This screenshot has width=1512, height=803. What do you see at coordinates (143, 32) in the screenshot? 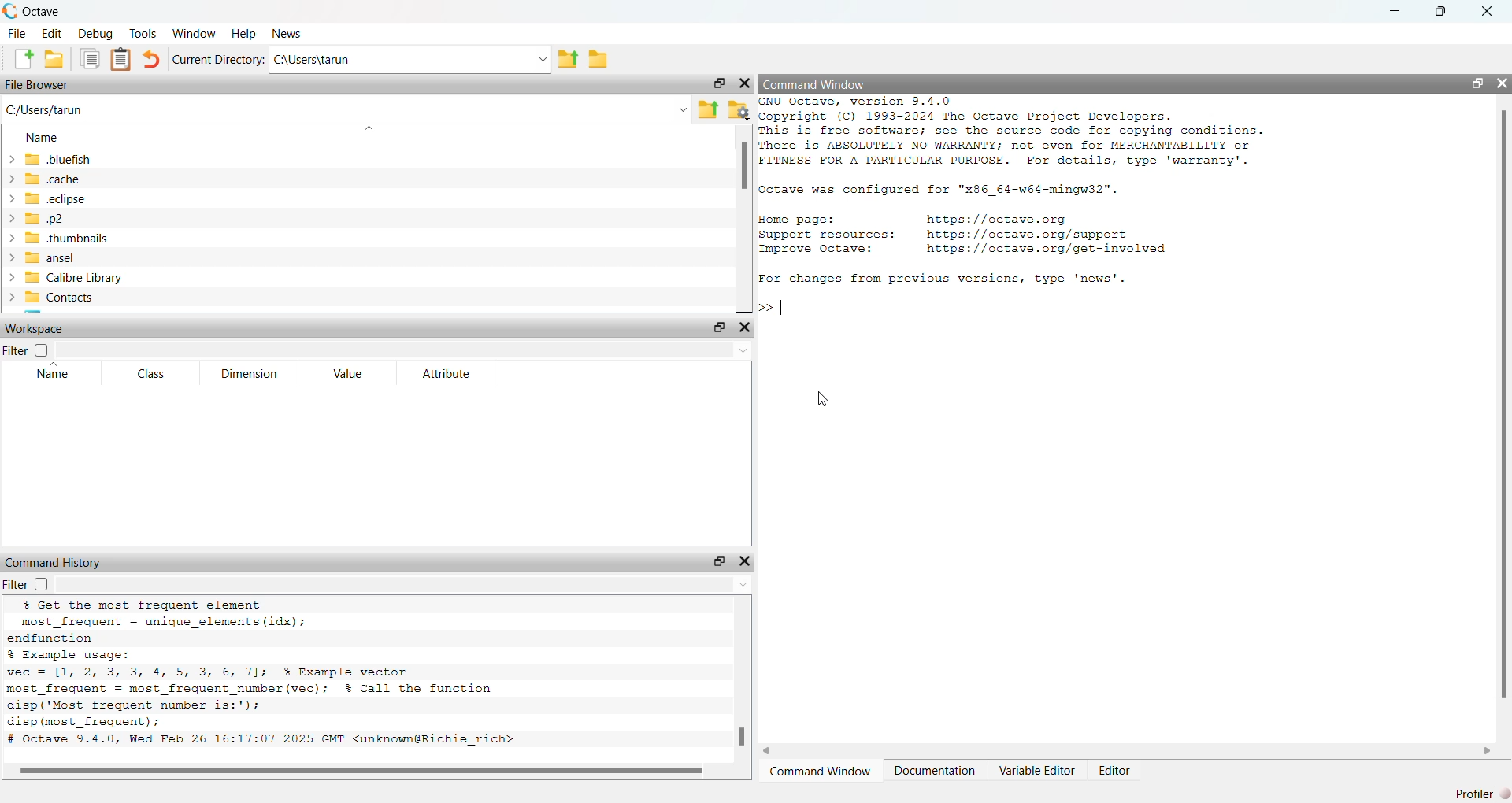
I see `Tools` at bounding box center [143, 32].